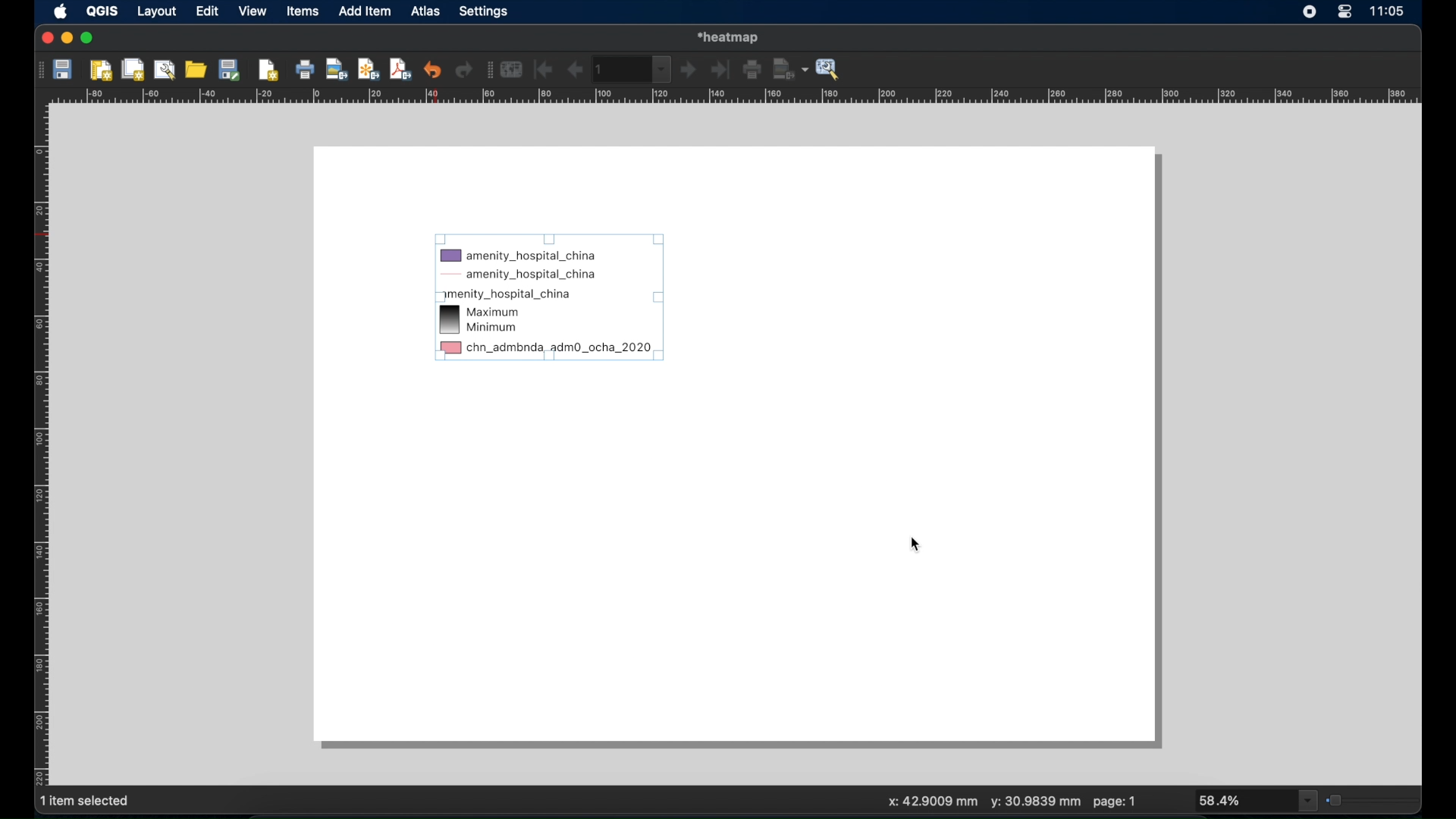  Describe the element at coordinates (921, 265) in the screenshot. I see `blank layout` at that location.